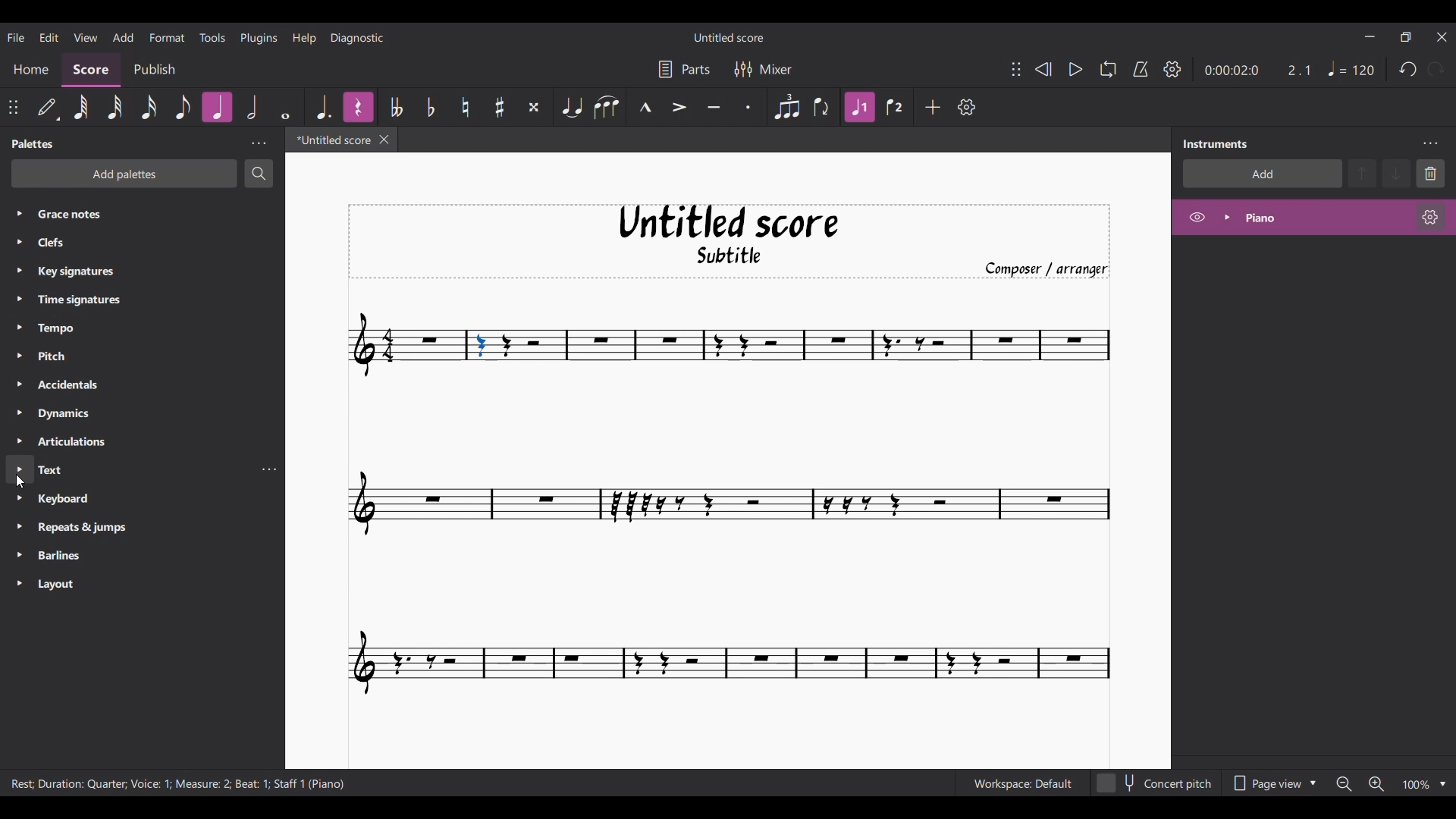 Image resolution: width=1456 pixels, height=819 pixels. Describe the element at coordinates (149, 107) in the screenshot. I see `16th note` at that location.